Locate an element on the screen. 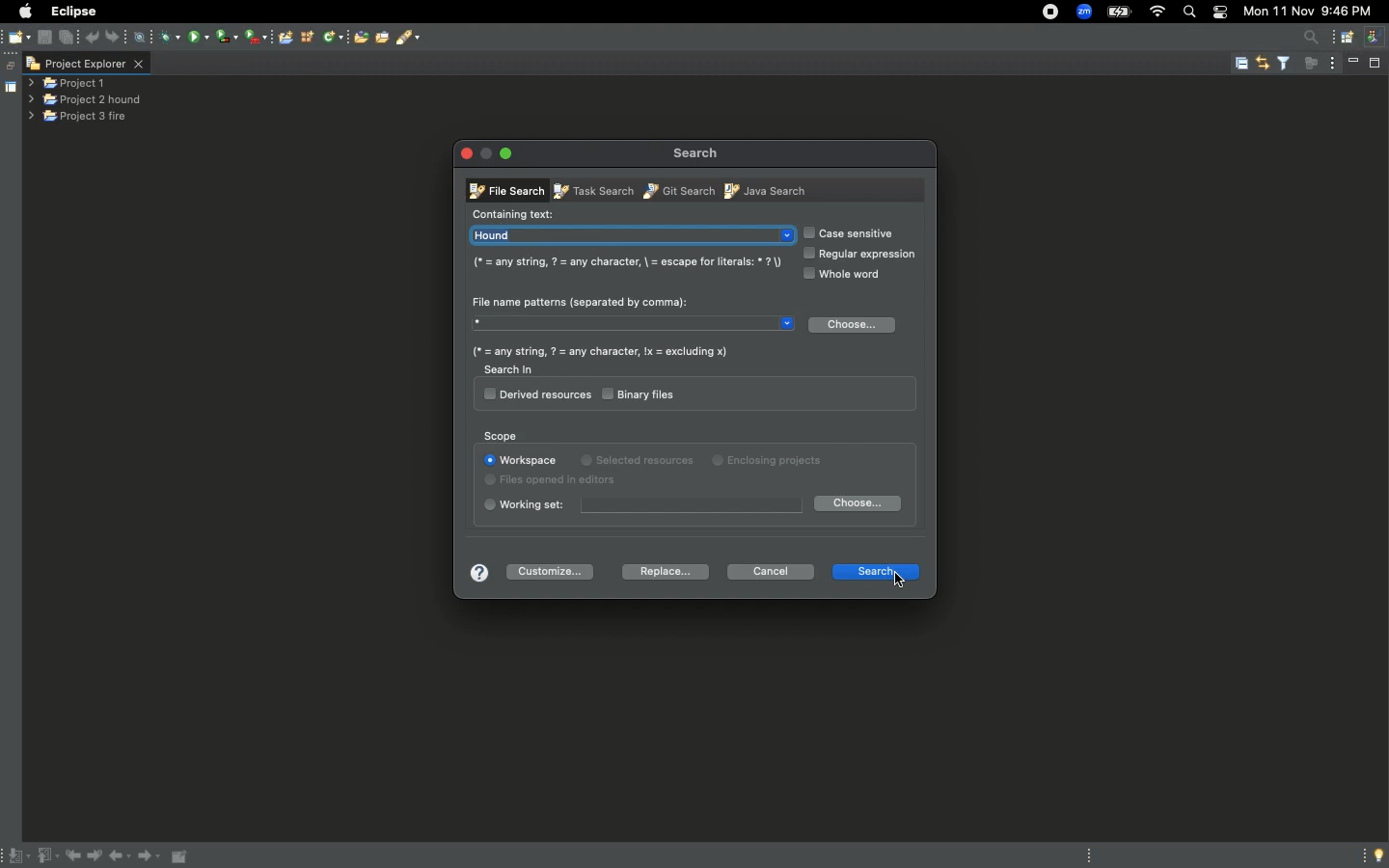 This screenshot has height=868, width=1389. new is located at coordinates (19, 35).